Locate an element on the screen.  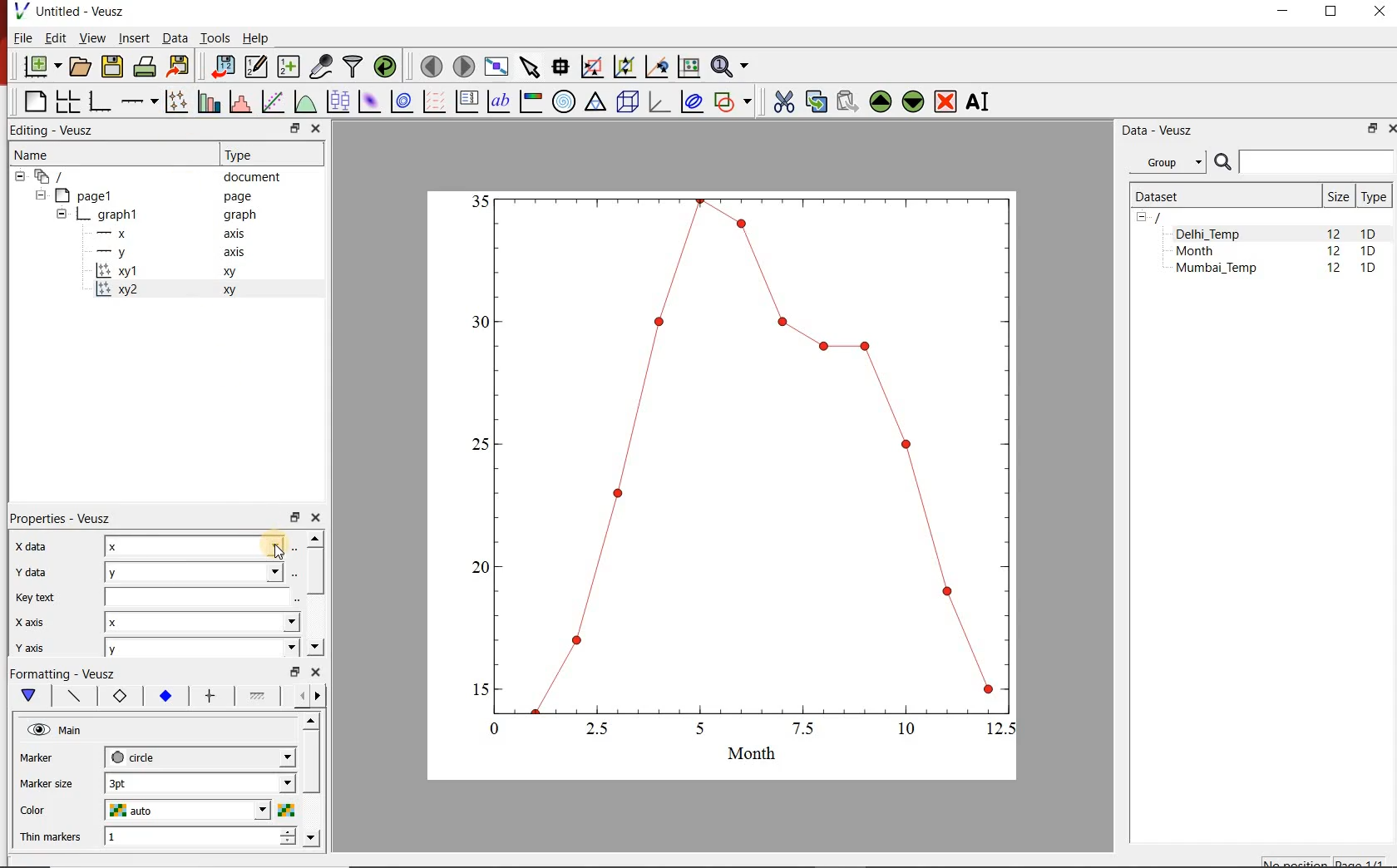
1 is located at coordinates (200, 838).